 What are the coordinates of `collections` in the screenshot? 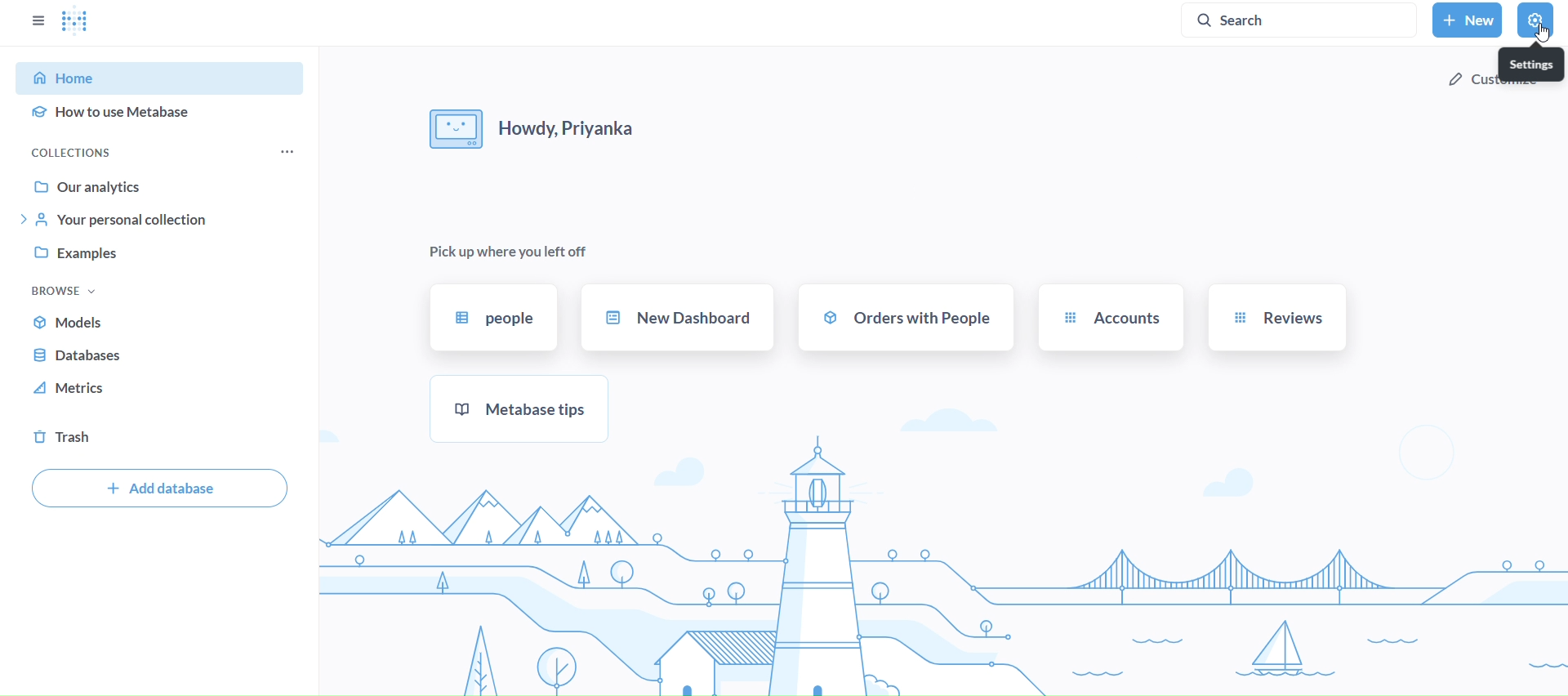 It's located at (95, 151).